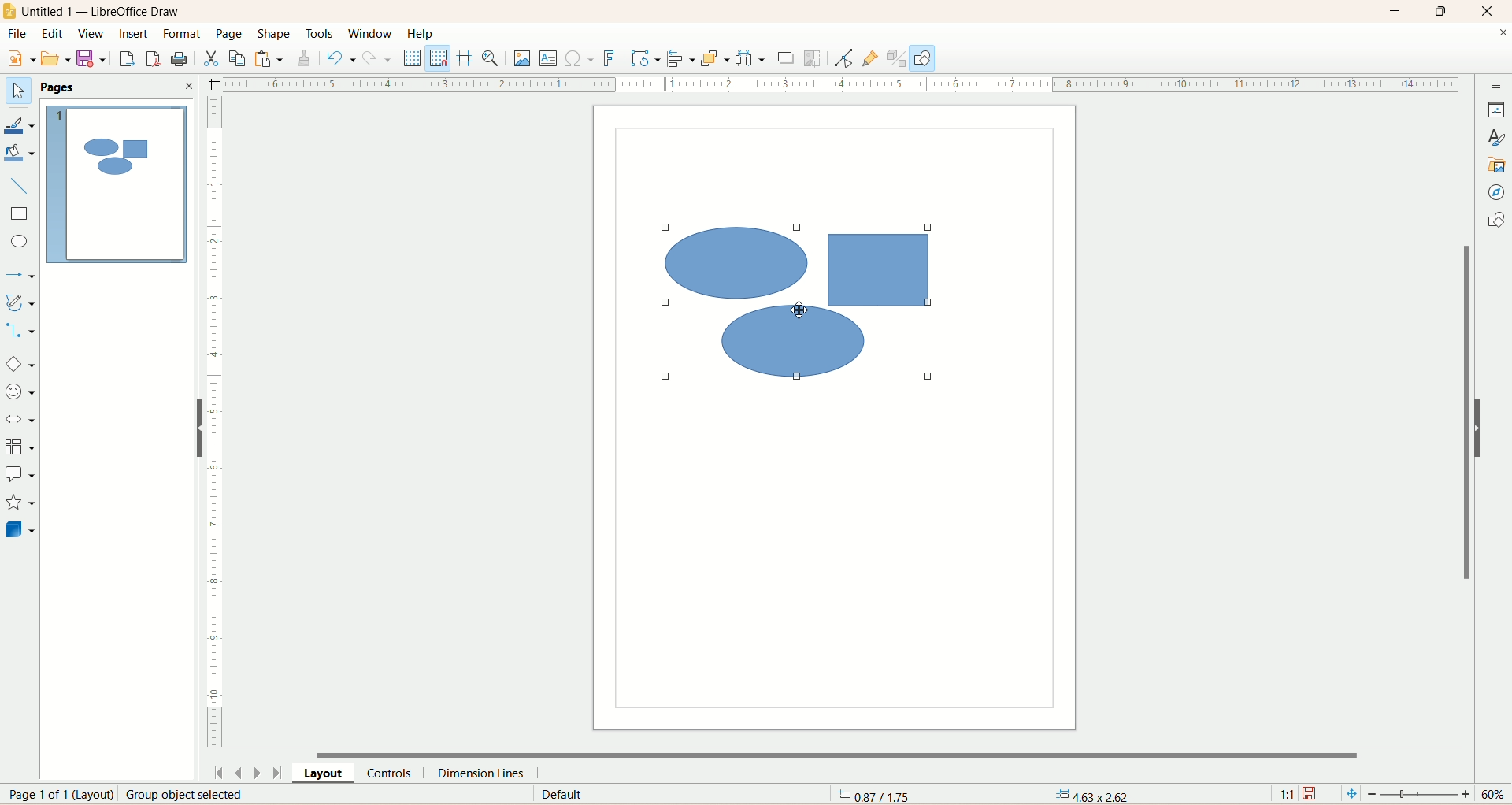  Describe the element at coordinates (19, 395) in the screenshot. I see `symbol shapes` at that location.